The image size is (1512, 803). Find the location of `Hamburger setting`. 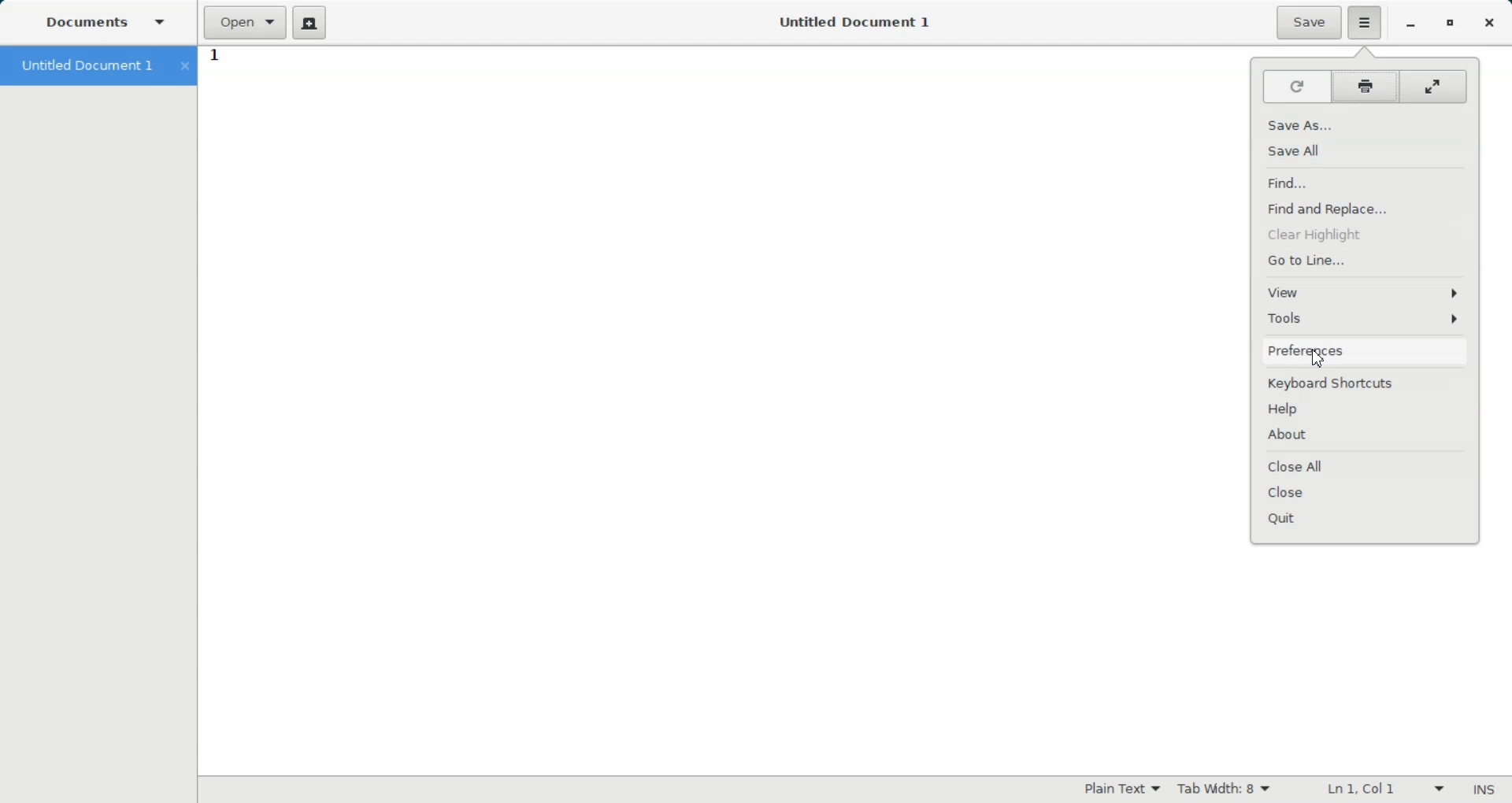

Hamburger setting is located at coordinates (1366, 23).